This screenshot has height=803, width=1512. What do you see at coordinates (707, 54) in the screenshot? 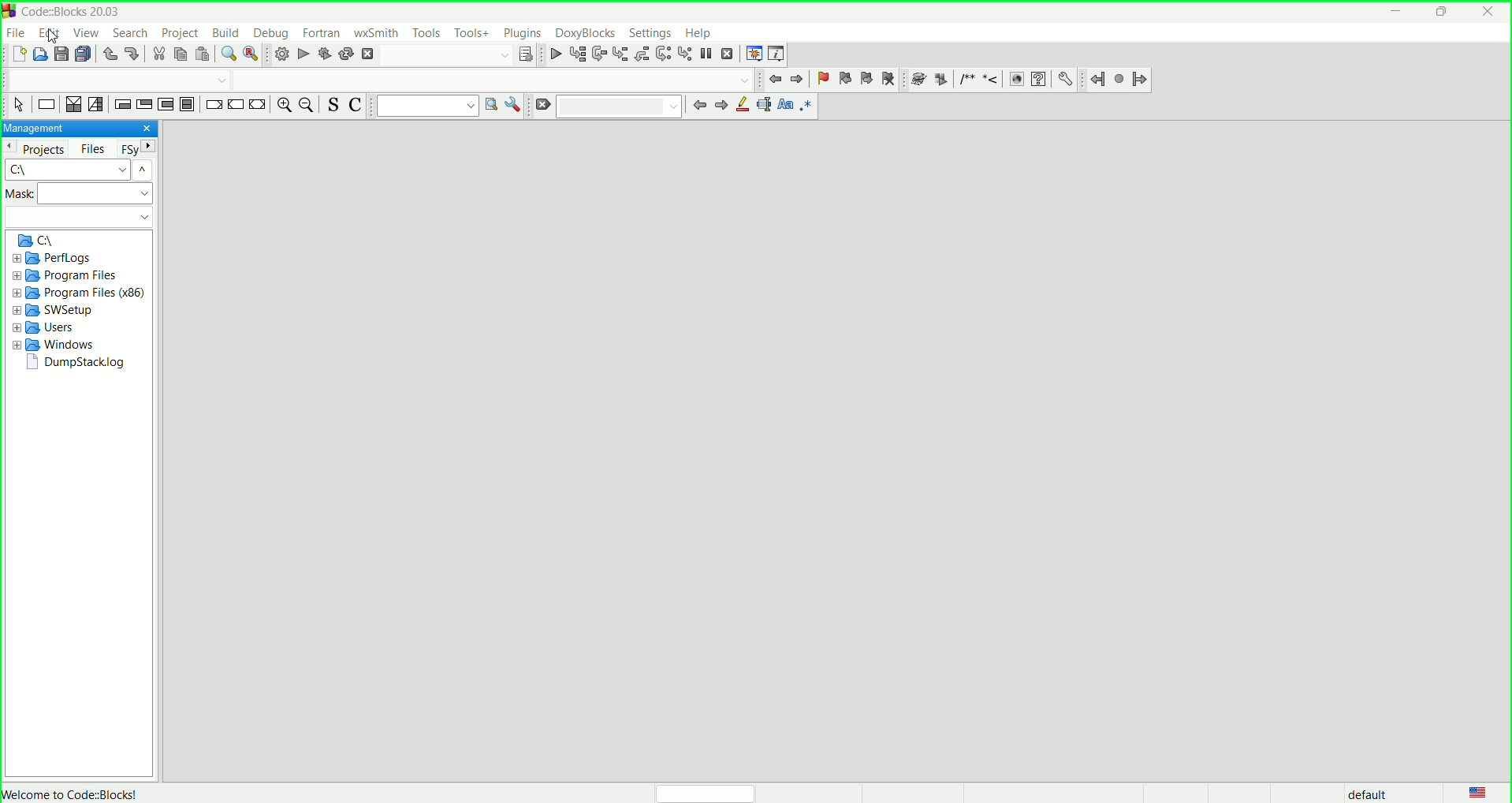
I see `break debugger` at bounding box center [707, 54].